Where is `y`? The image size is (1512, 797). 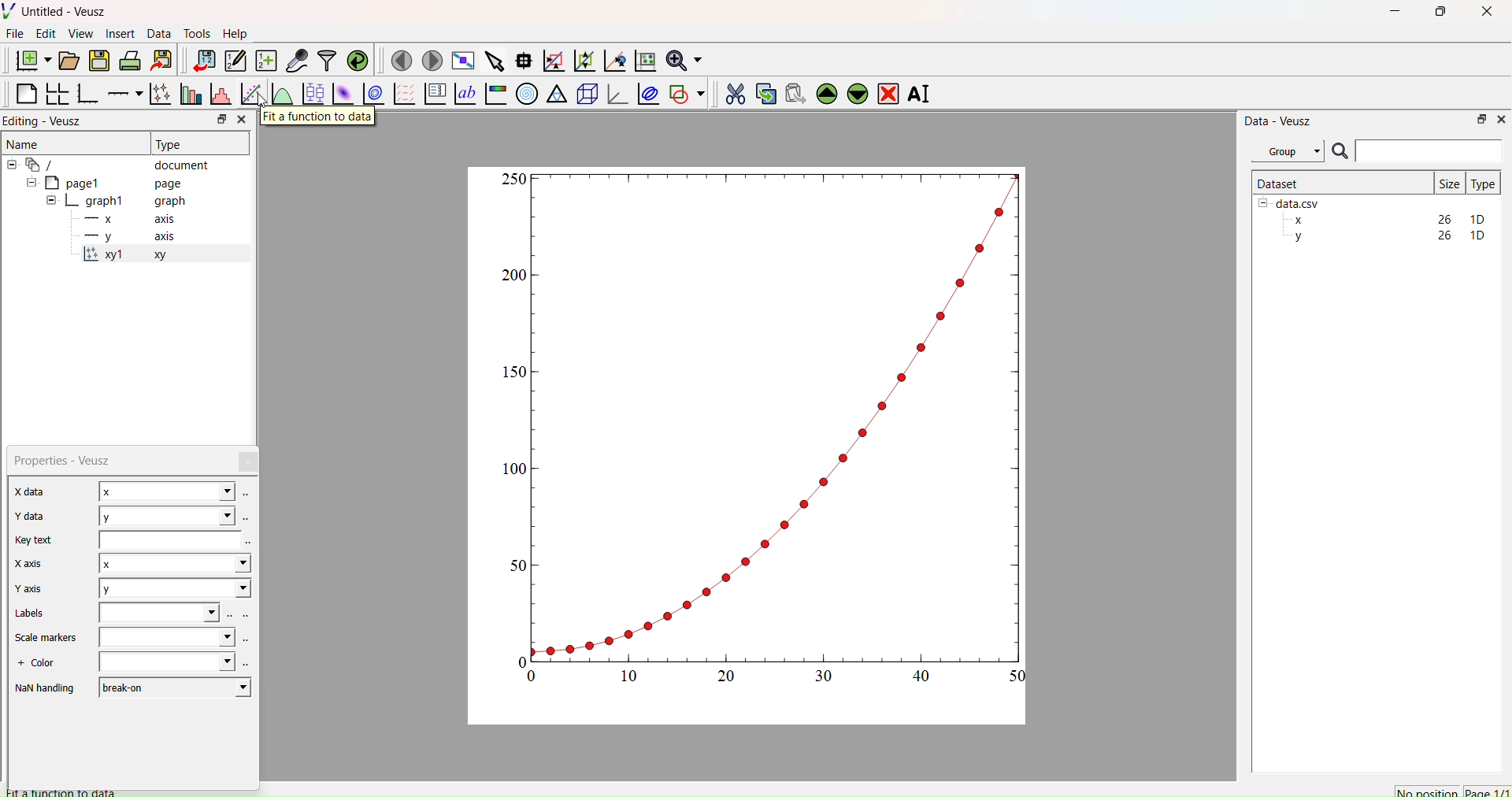 y is located at coordinates (167, 515).